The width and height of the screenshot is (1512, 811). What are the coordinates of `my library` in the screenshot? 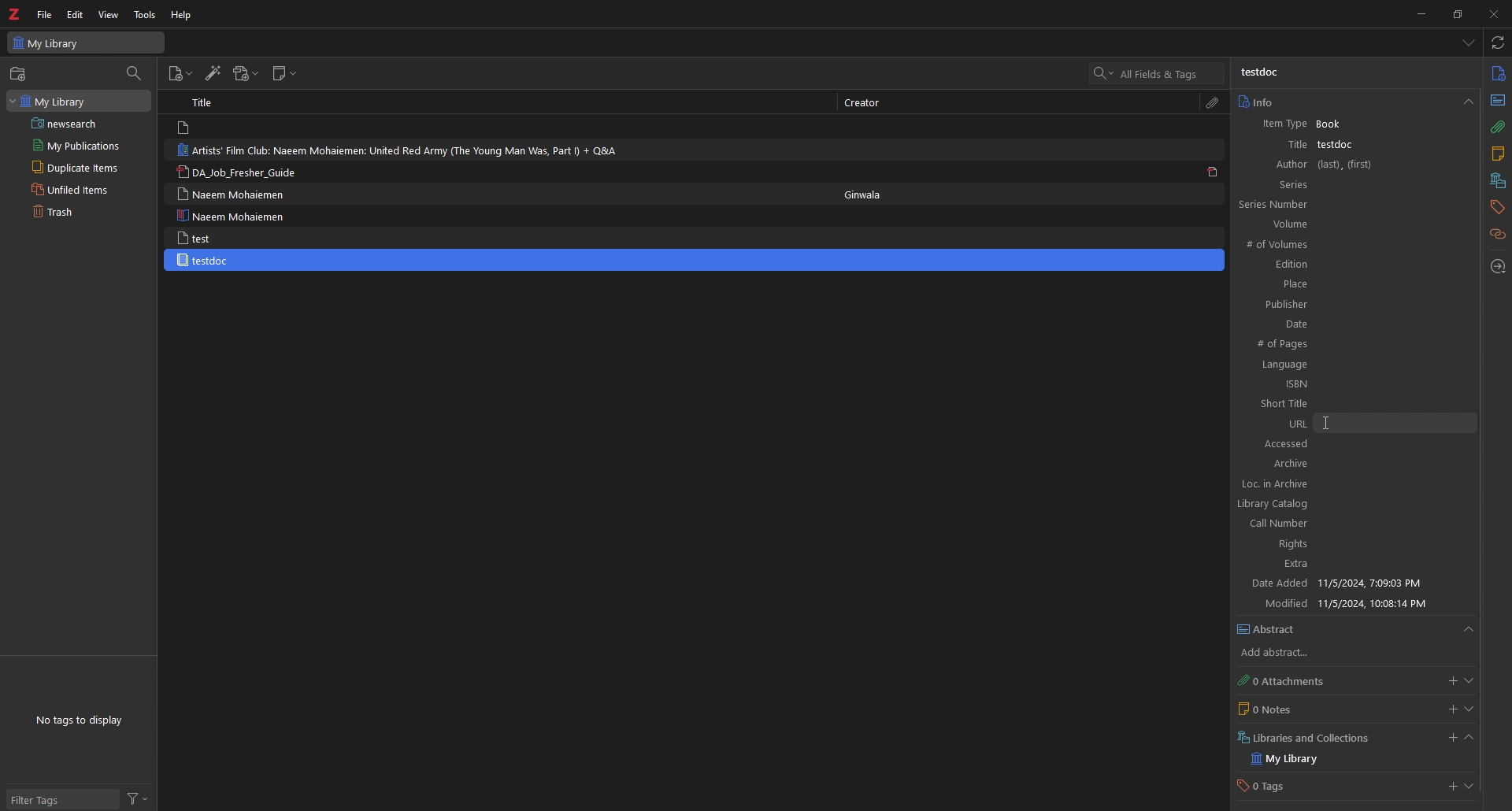 It's located at (1292, 761).